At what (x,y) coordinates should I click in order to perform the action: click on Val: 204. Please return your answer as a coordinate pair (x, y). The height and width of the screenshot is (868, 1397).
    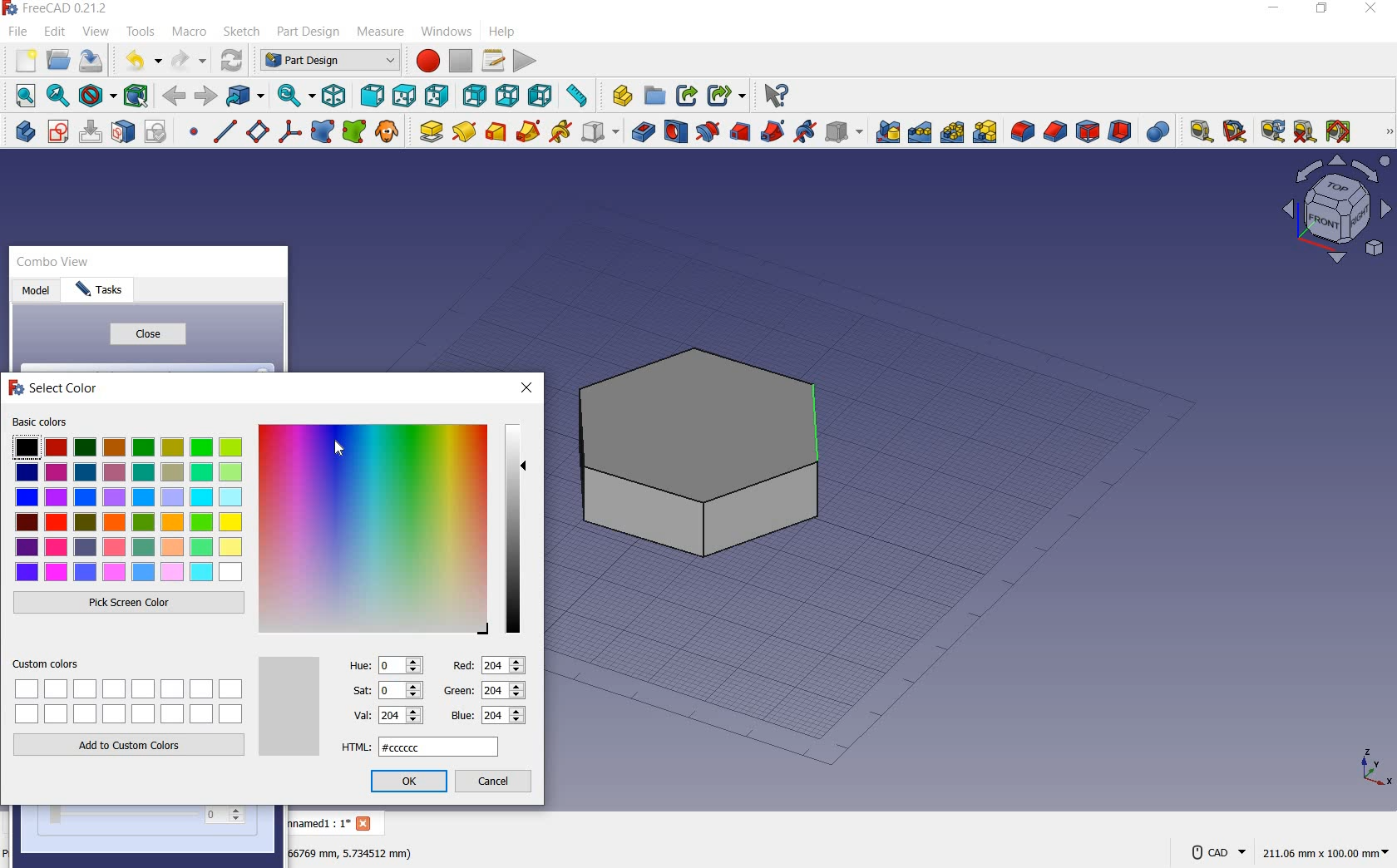
    Looking at the image, I should click on (388, 714).